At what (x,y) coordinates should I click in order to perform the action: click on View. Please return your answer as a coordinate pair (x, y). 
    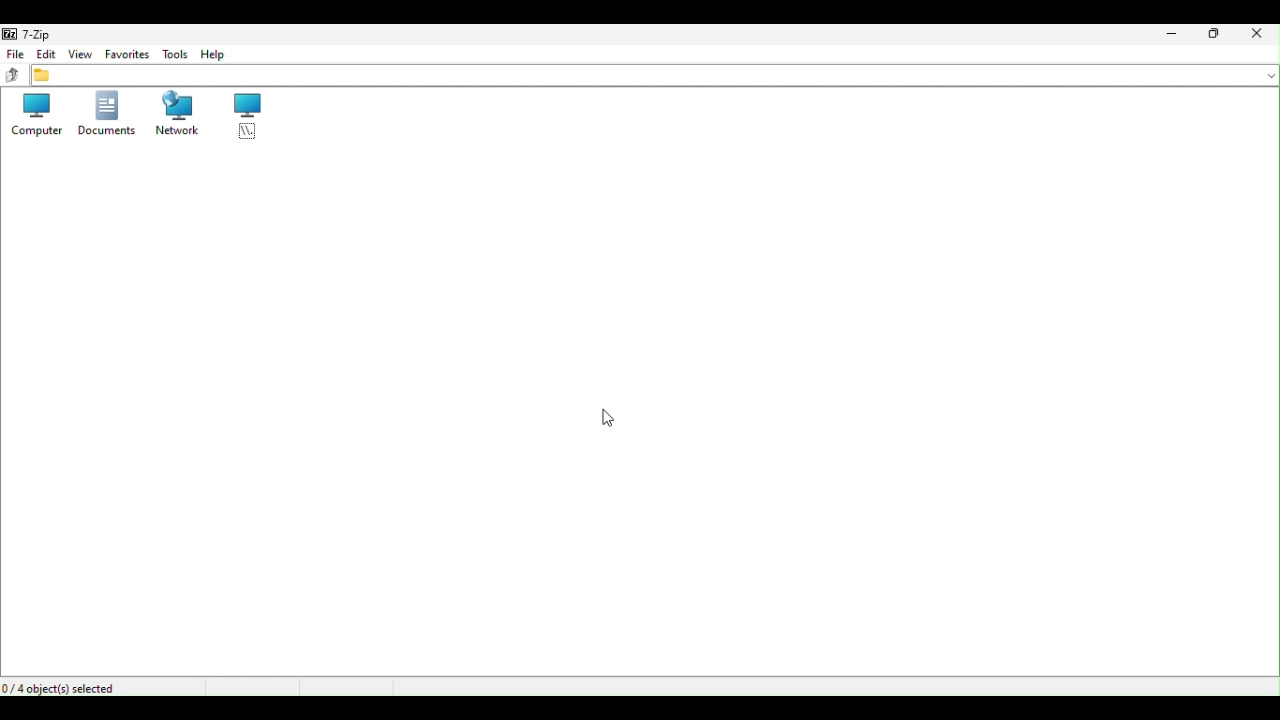
    Looking at the image, I should click on (79, 54).